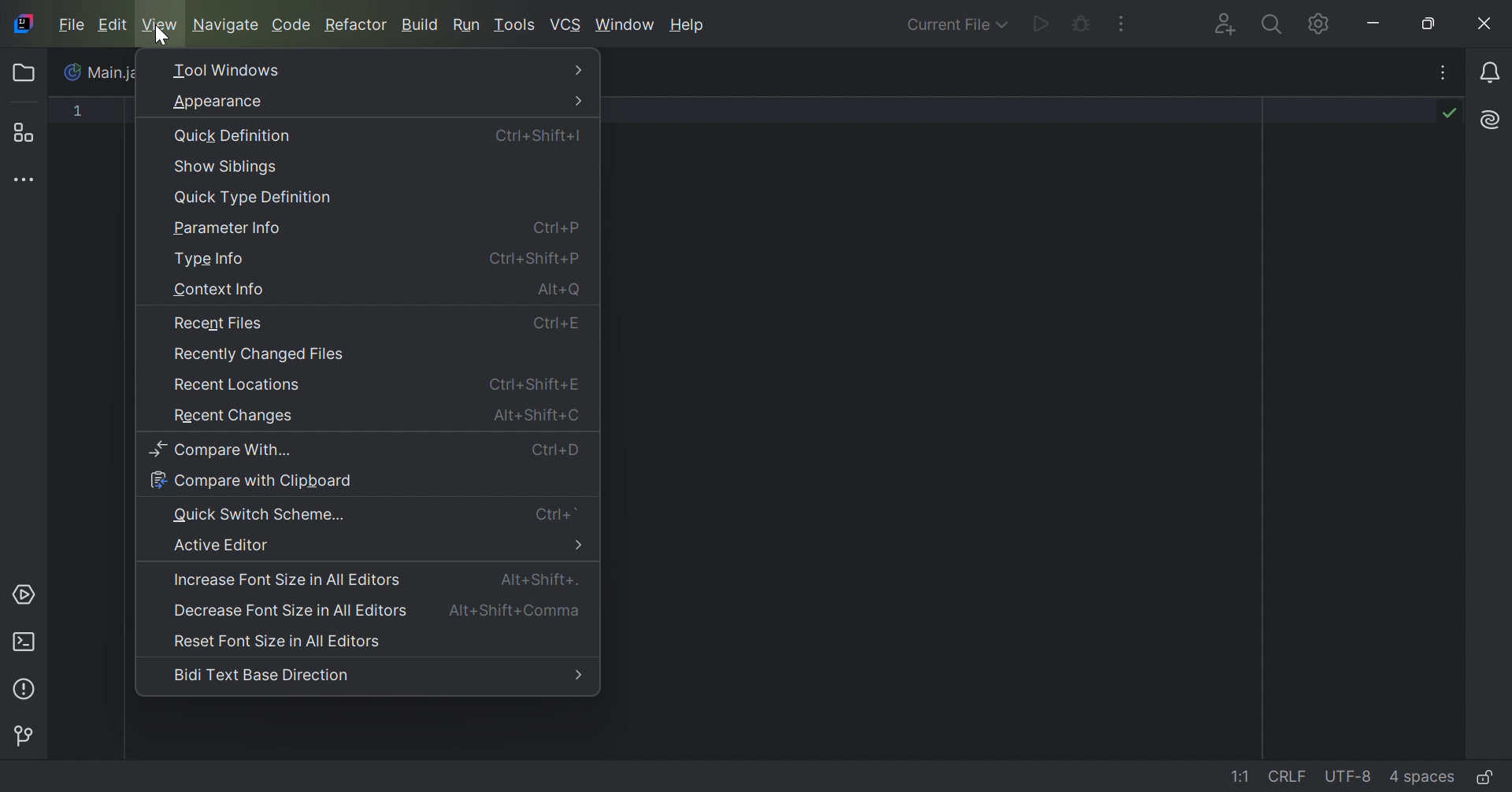 The image size is (1512, 792). What do you see at coordinates (232, 418) in the screenshot?
I see `Recent Changes` at bounding box center [232, 418].